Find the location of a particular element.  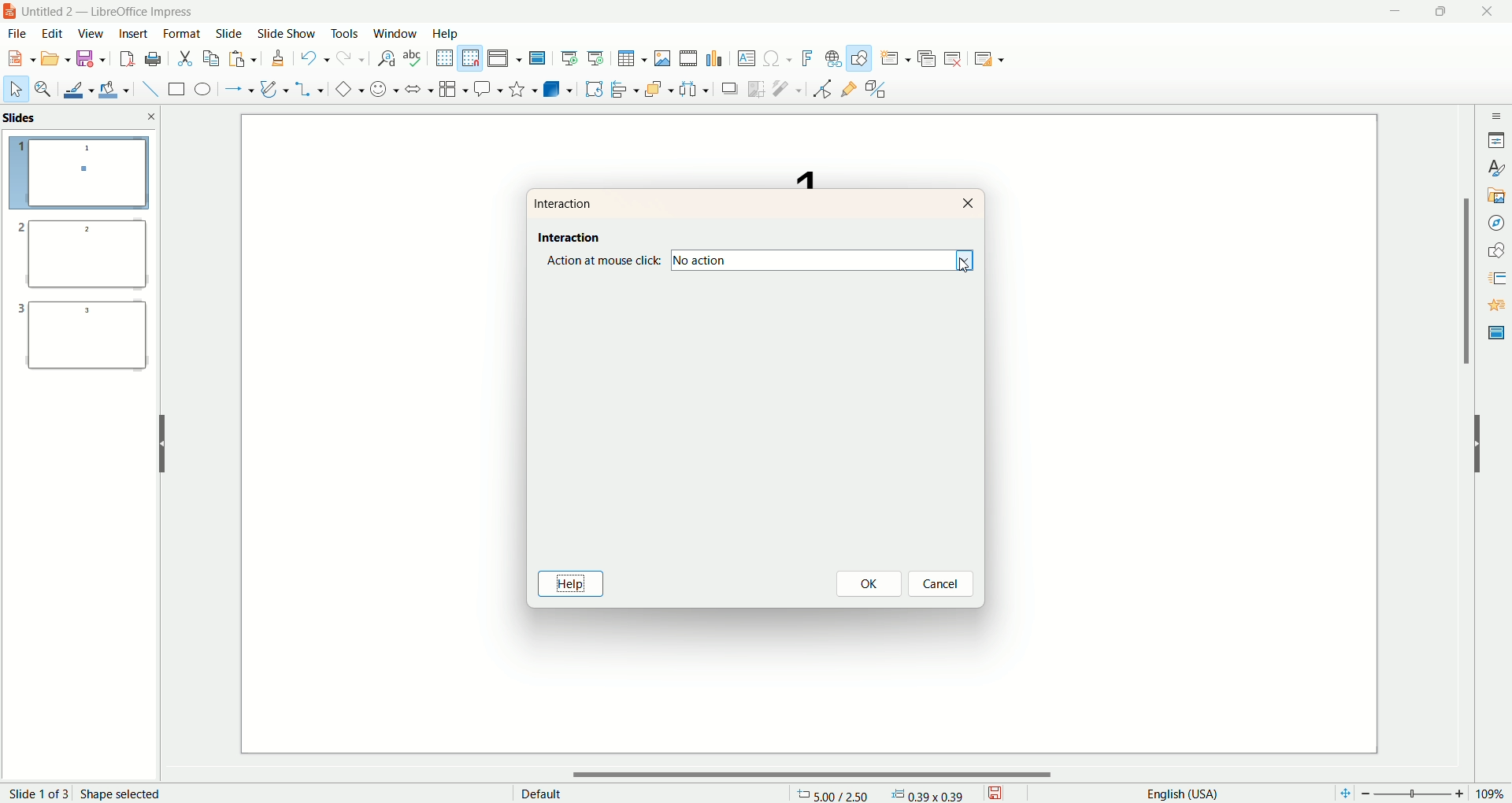

show grid is located at coordinates (443, 57).